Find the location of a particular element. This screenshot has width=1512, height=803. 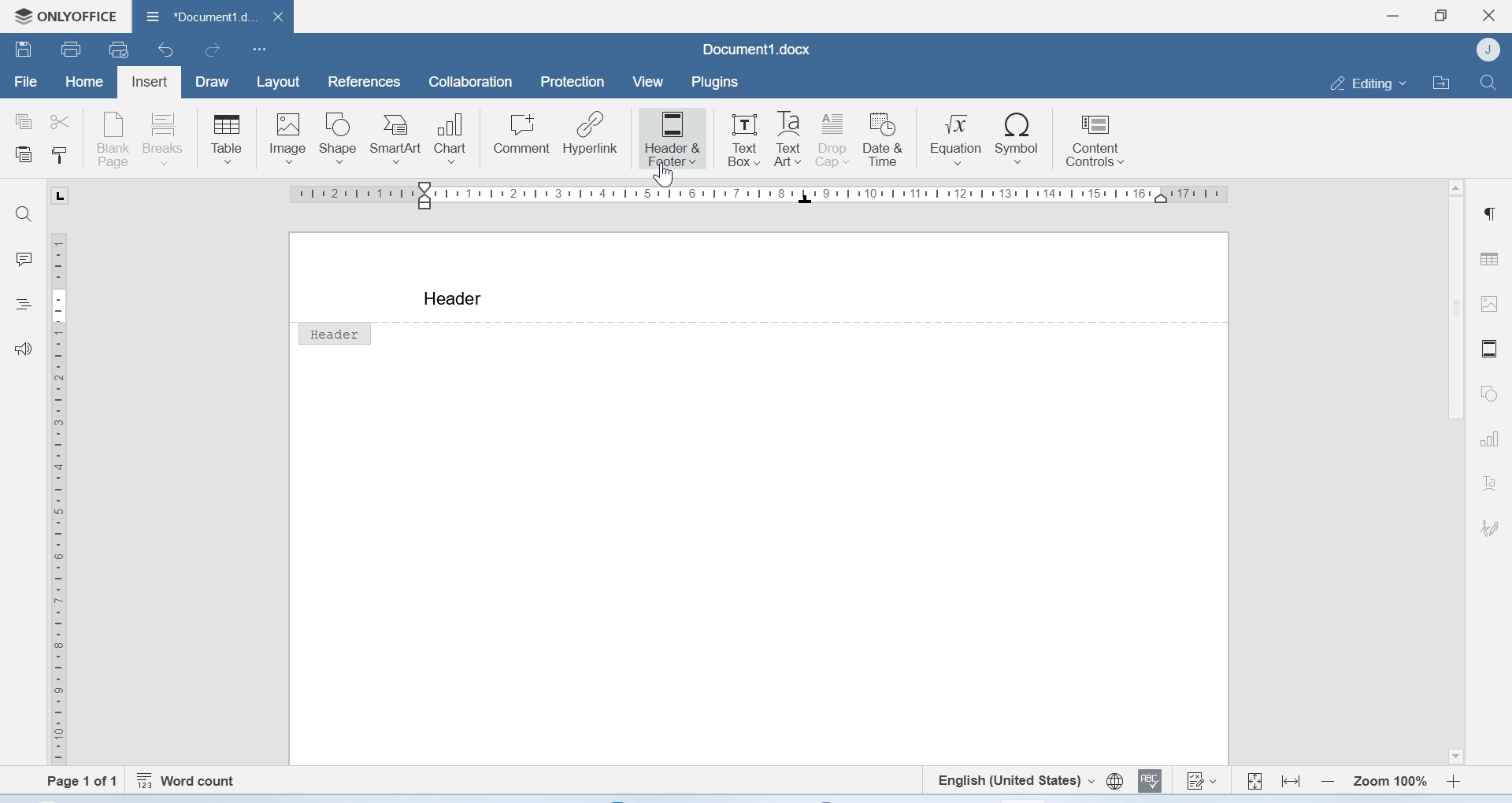

plugins is located at coordinates (721, 82).